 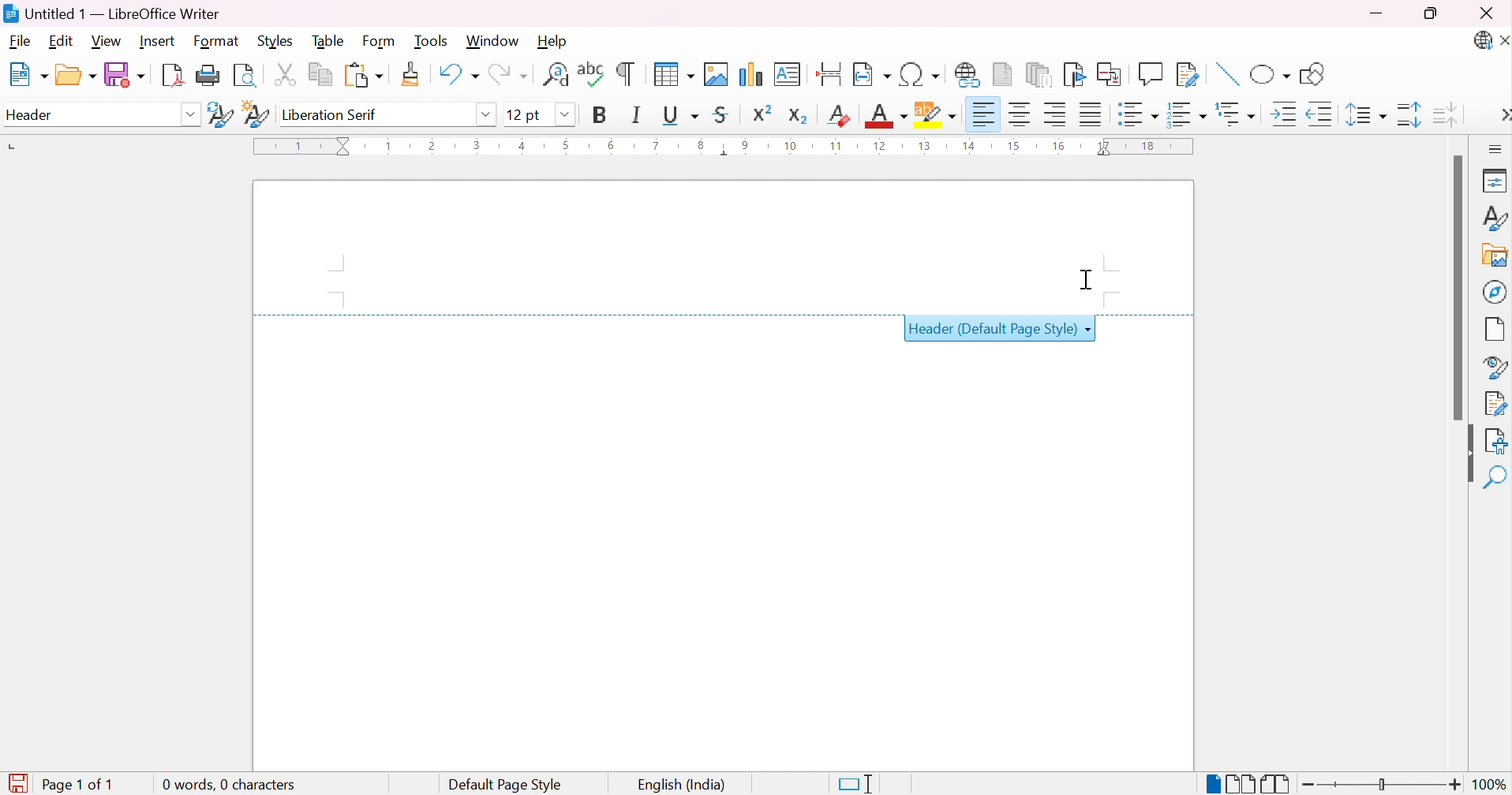 What do you see at coordinates (105, 42) in the screenshot?
I see `View` at bounding box center [105, 42].